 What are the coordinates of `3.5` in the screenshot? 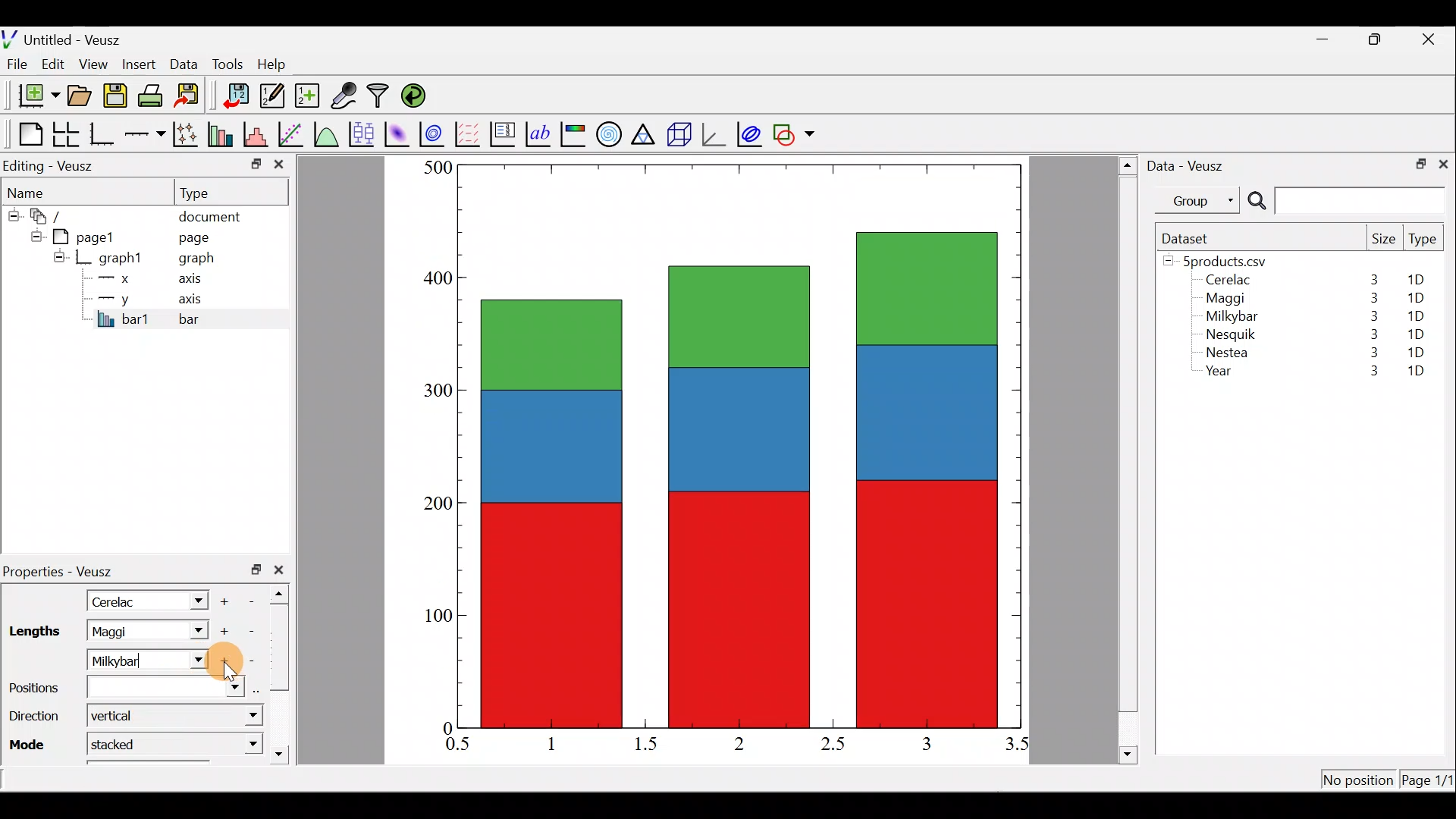 It's located at (1018, 747).